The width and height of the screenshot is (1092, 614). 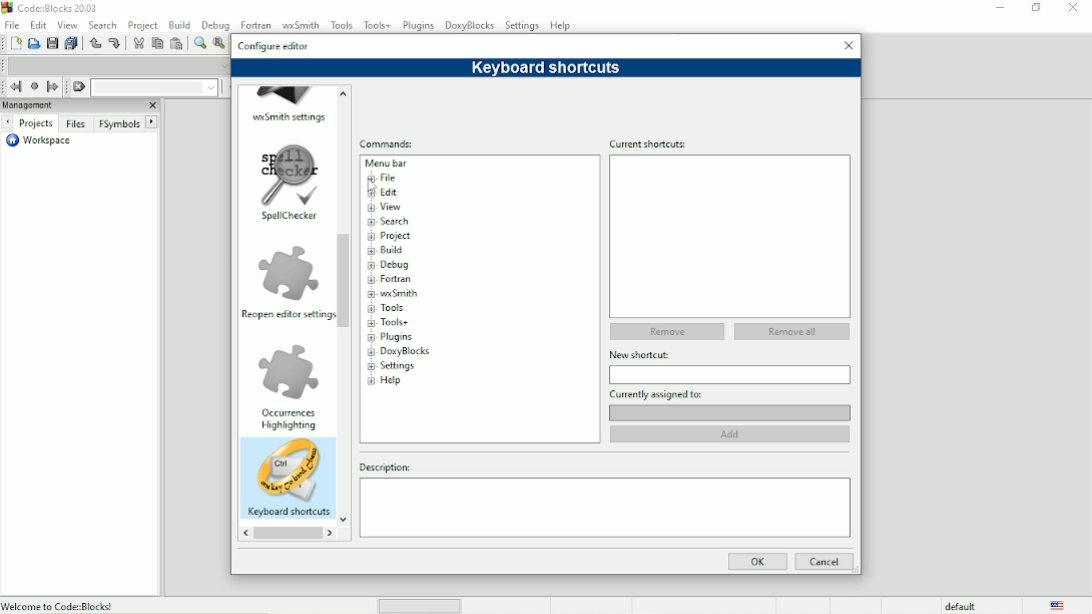 What do you see at coordinates (730, 375) in the screenshot?
I see `` at bounding box center [730, 375].